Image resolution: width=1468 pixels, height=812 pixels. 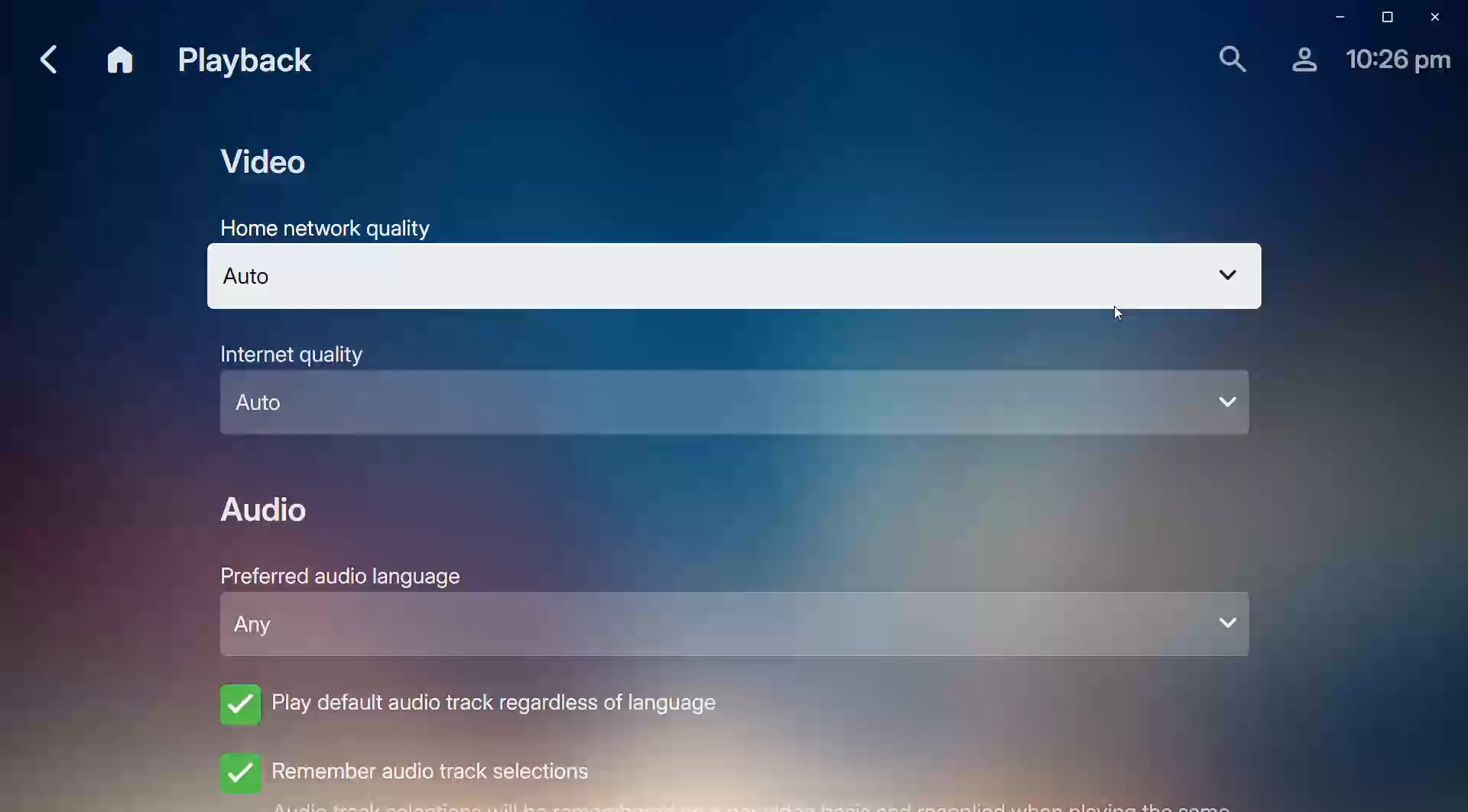 I want to click on Minimize, so click(x=1333, y=16).